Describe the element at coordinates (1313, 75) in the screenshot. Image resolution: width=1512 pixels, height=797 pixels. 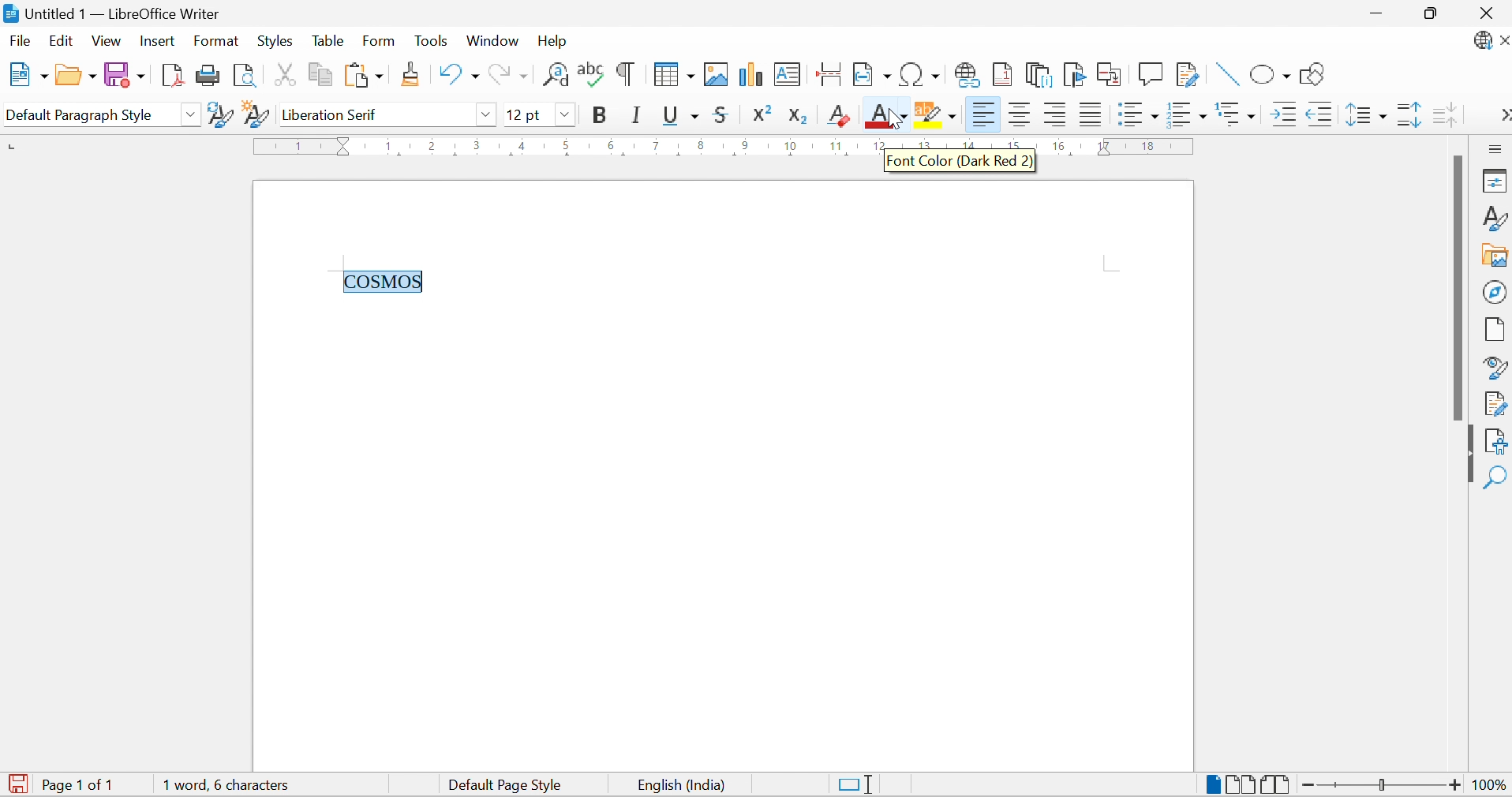
I see `Show Draw Functions` at that location.